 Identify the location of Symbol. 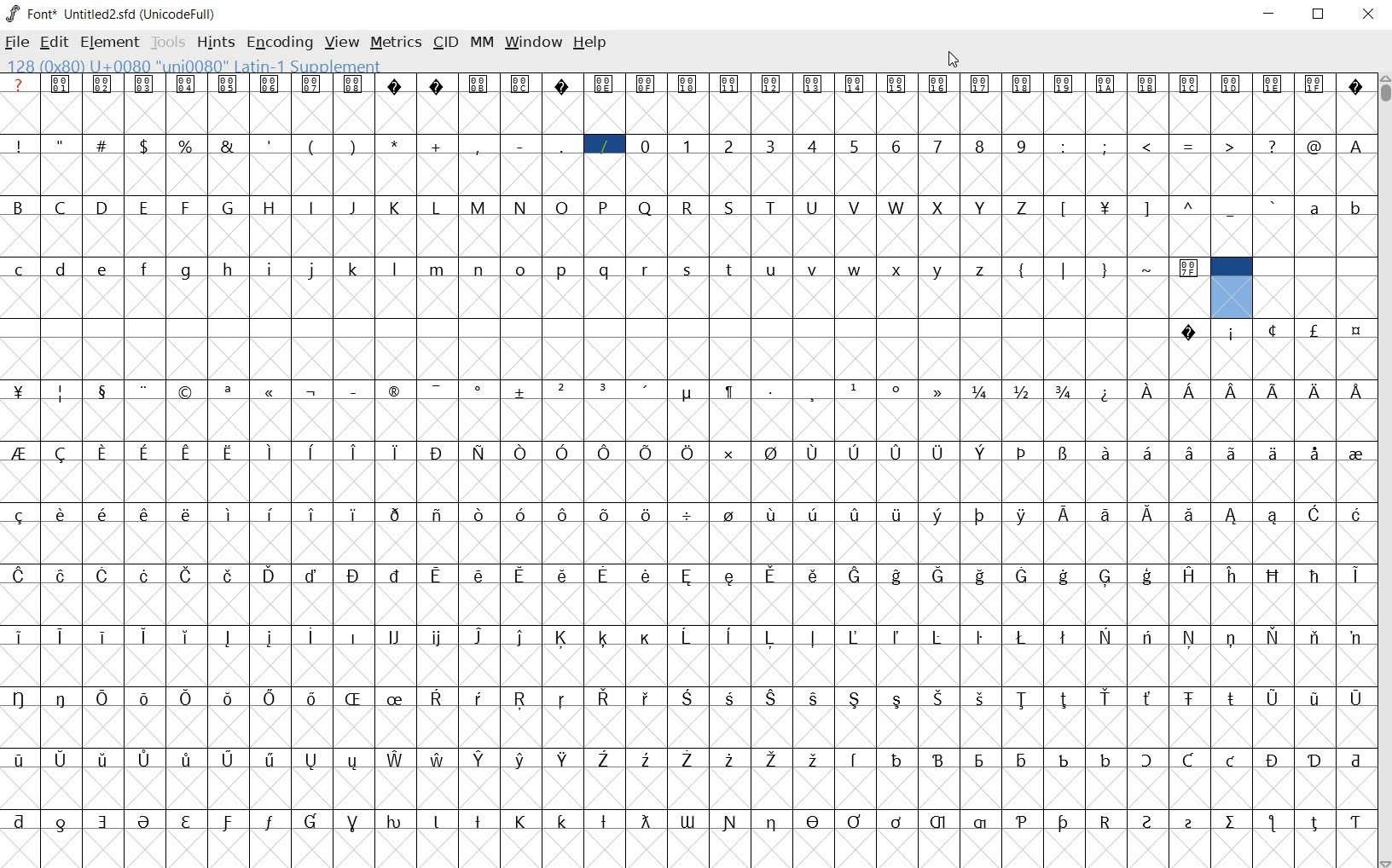
(563, 574).